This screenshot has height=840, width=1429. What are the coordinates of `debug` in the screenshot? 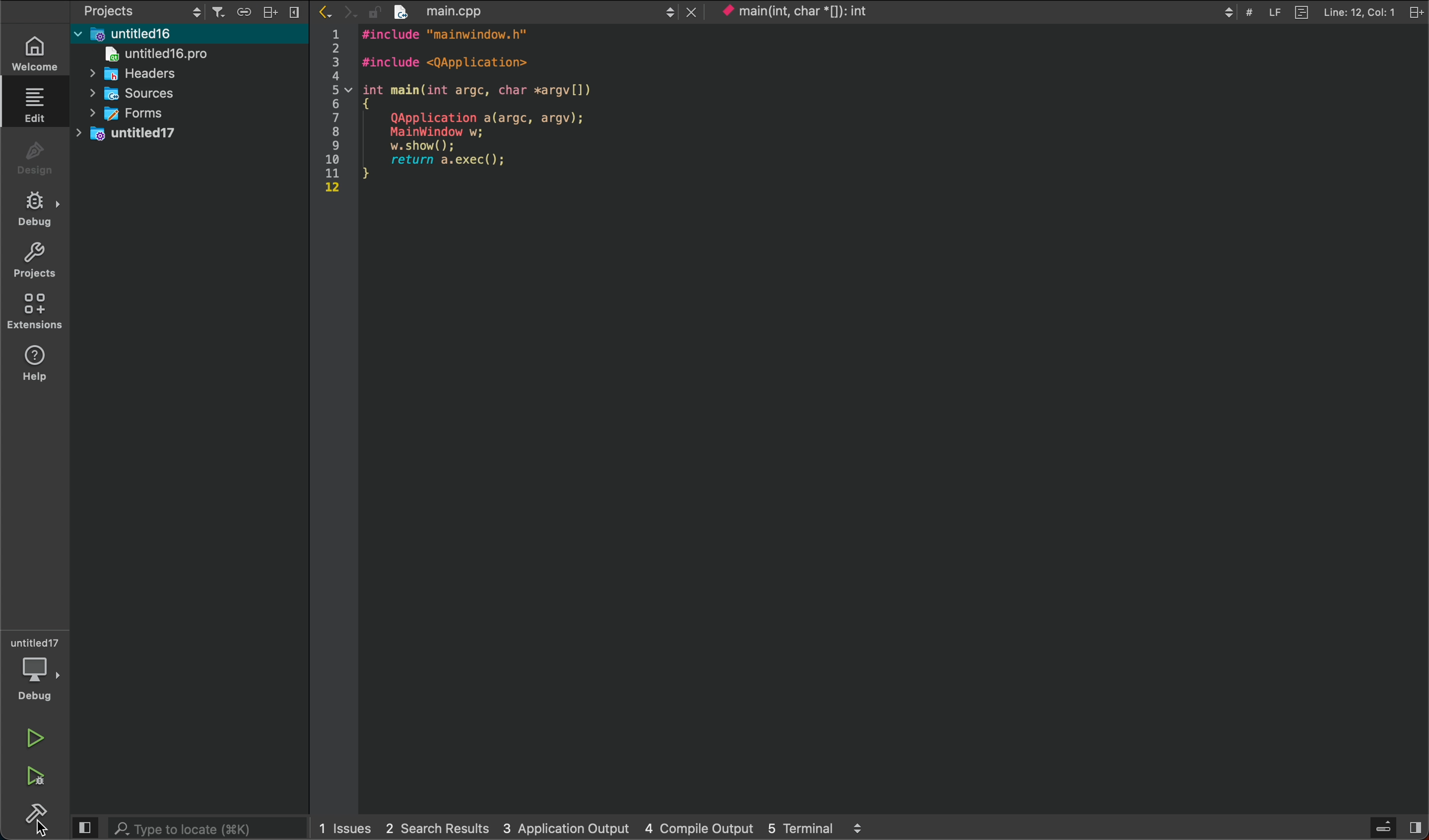 It's located at (33, 207).